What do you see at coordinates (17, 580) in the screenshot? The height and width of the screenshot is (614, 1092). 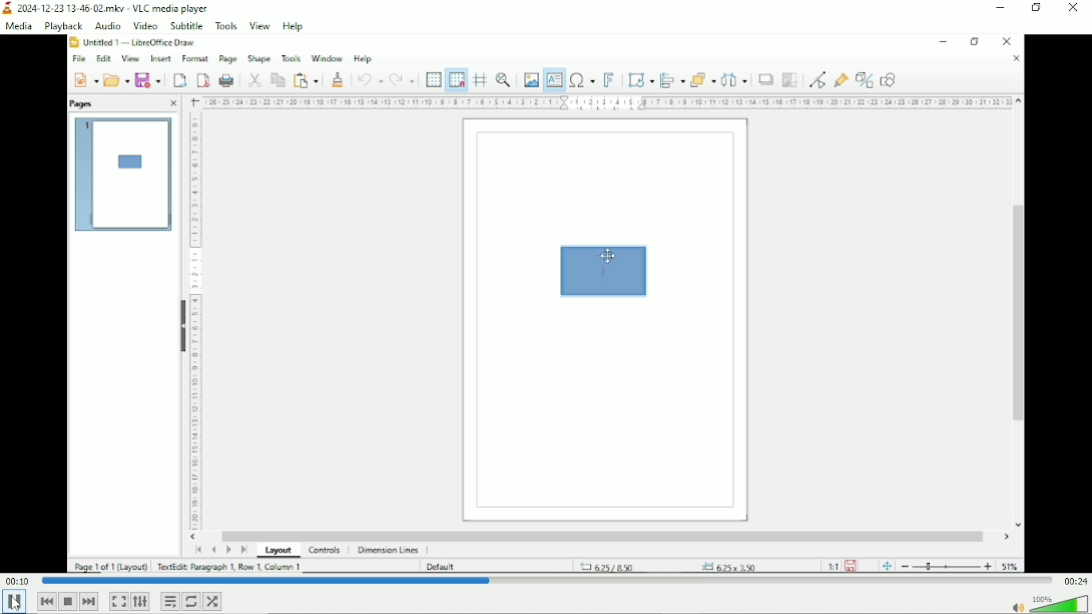 I see `Elapsed time` at bounding box center [17, 580].